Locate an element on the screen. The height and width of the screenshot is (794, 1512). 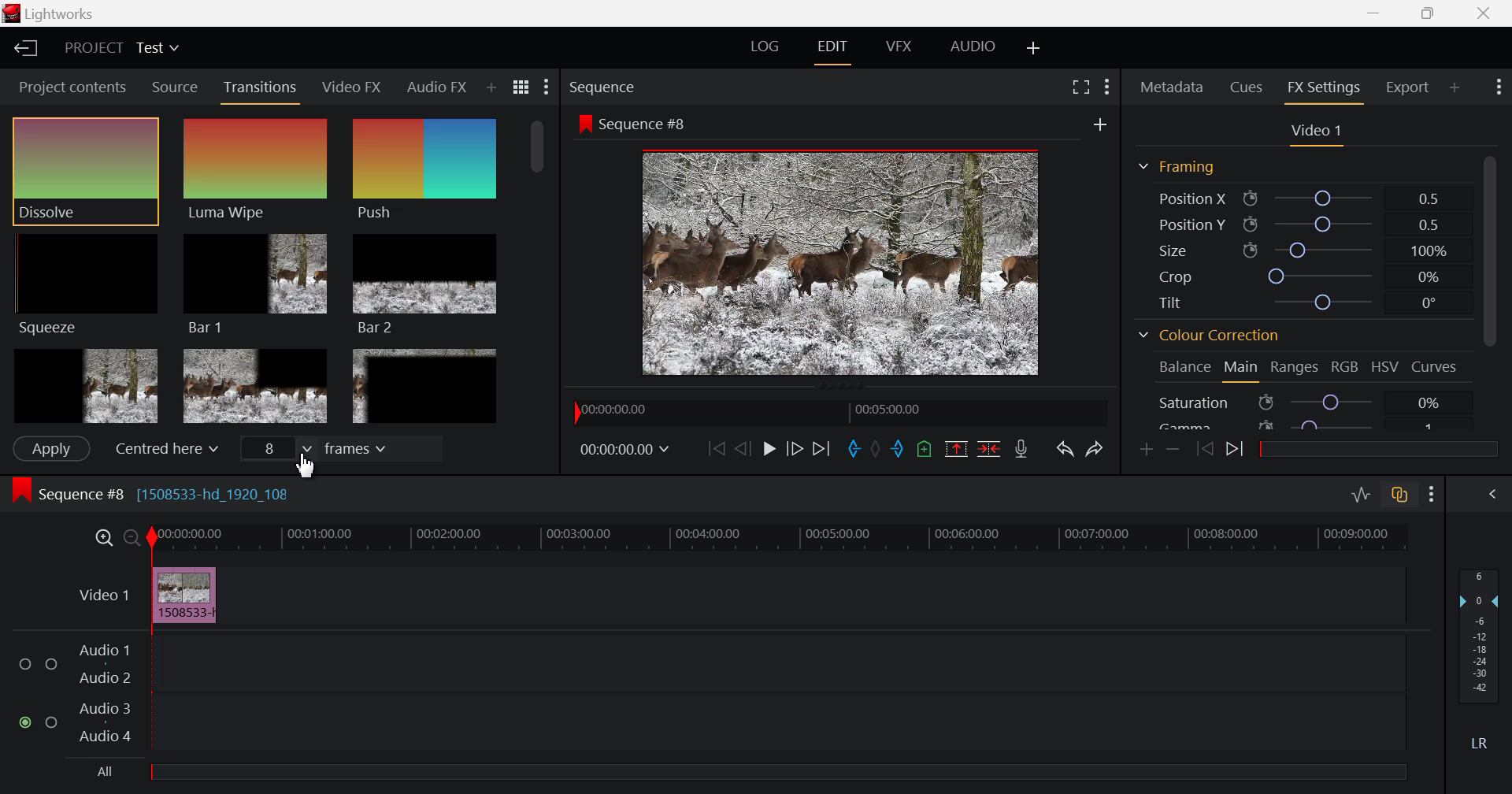
Video FX is located at coordinates (351, 89).